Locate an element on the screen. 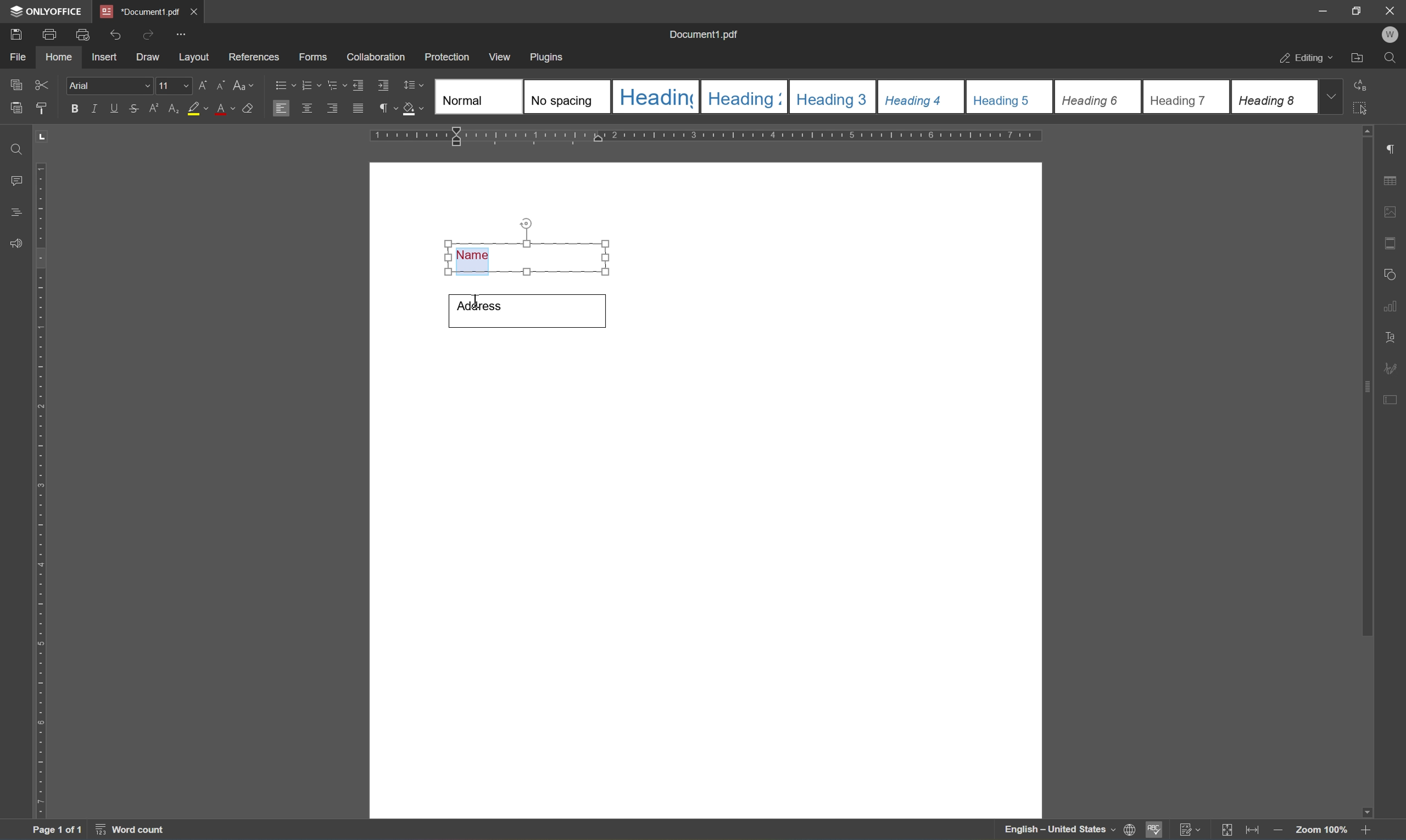  feedback and support is located at coordinates (14, 243).